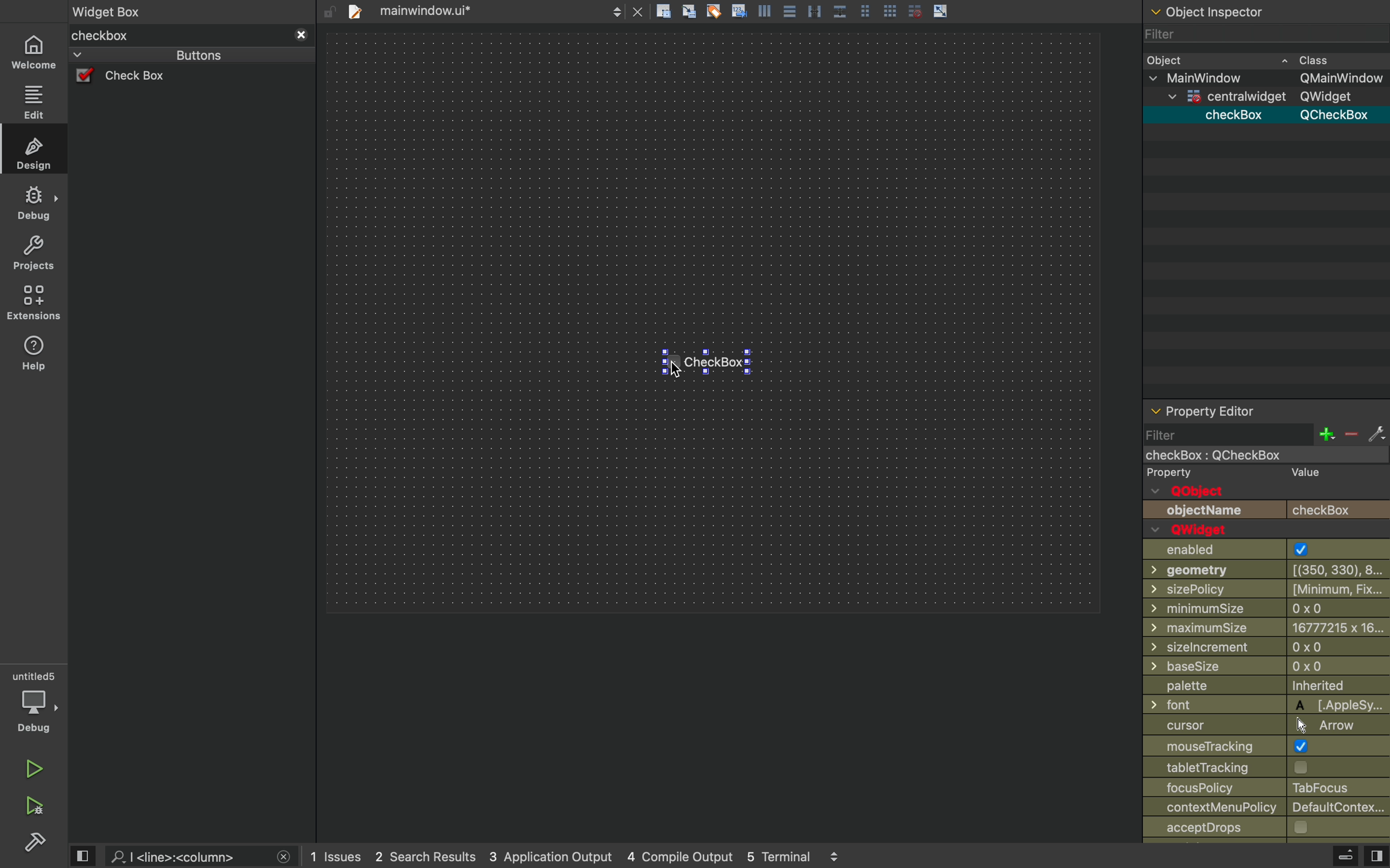 Image resolution: width=1390 pixels, height=868 pixels. Describe the element at coordinates (1250, 456) in the screenshot. I see `mainwindow` at that location.